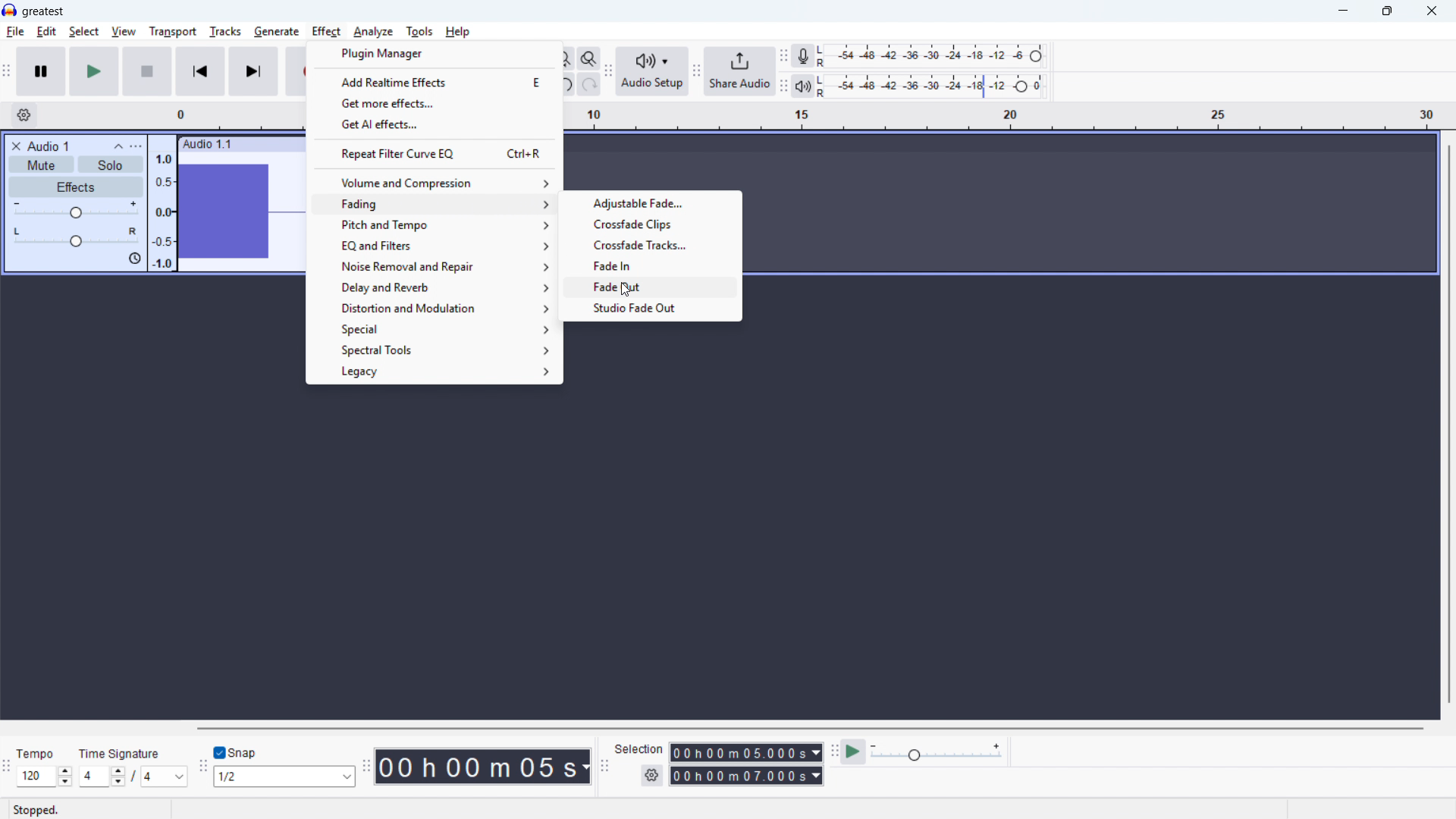 The width and height of the screenshot is (1456, 819). What do you see at coordinates (747, 752) in the screenshot?
I see `Selection start time ` at bounding box center [747, 752].